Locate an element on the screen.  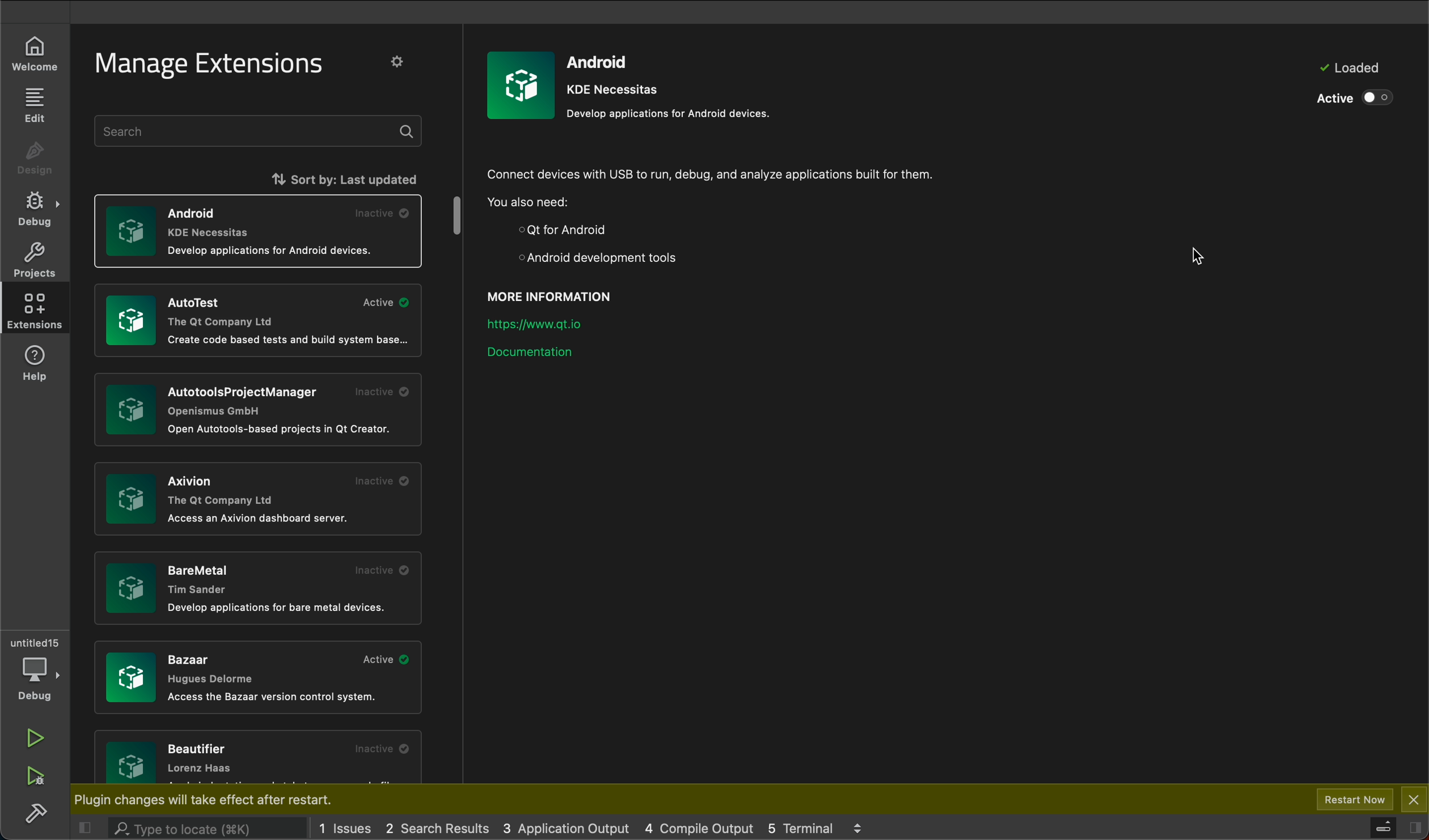
search is located at coordinates (261, 131).